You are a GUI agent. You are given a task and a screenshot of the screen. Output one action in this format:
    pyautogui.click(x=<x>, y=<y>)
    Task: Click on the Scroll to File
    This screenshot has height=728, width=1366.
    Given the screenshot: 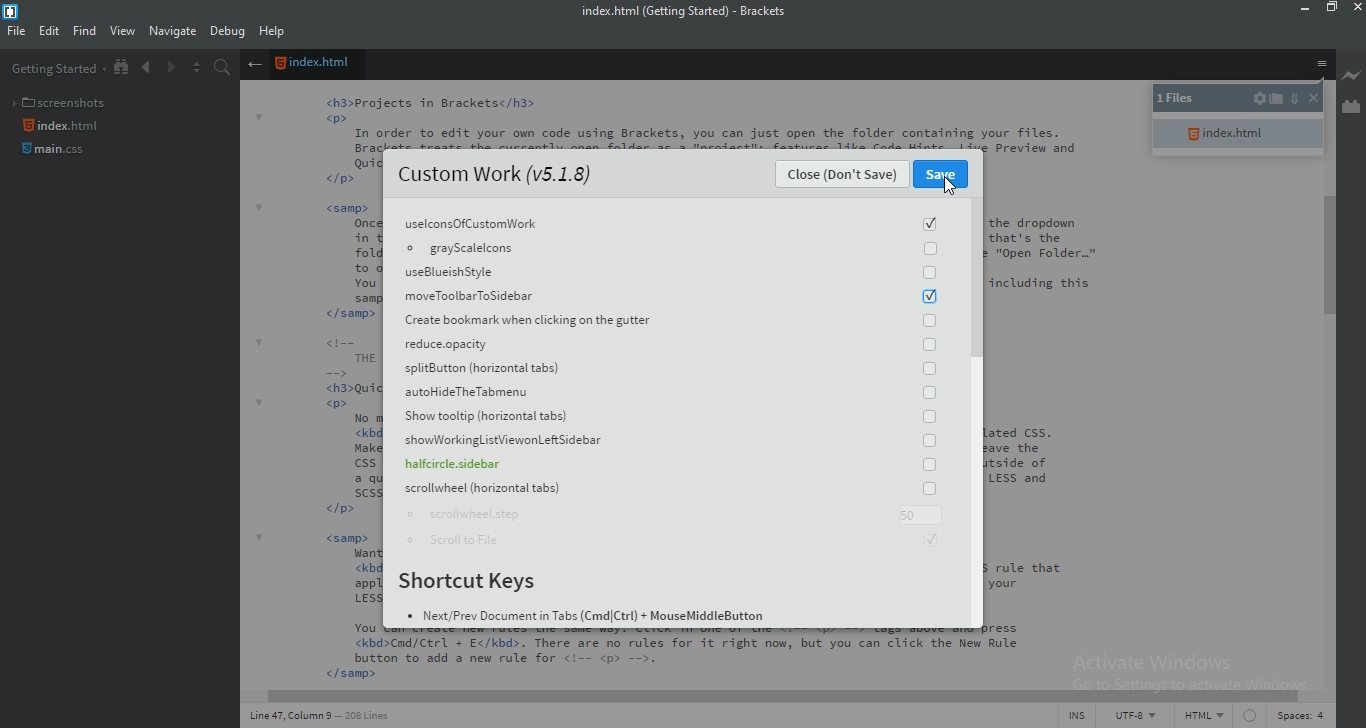 What is the action you would take?
    pyautogui.click(x=678, y=544)
    